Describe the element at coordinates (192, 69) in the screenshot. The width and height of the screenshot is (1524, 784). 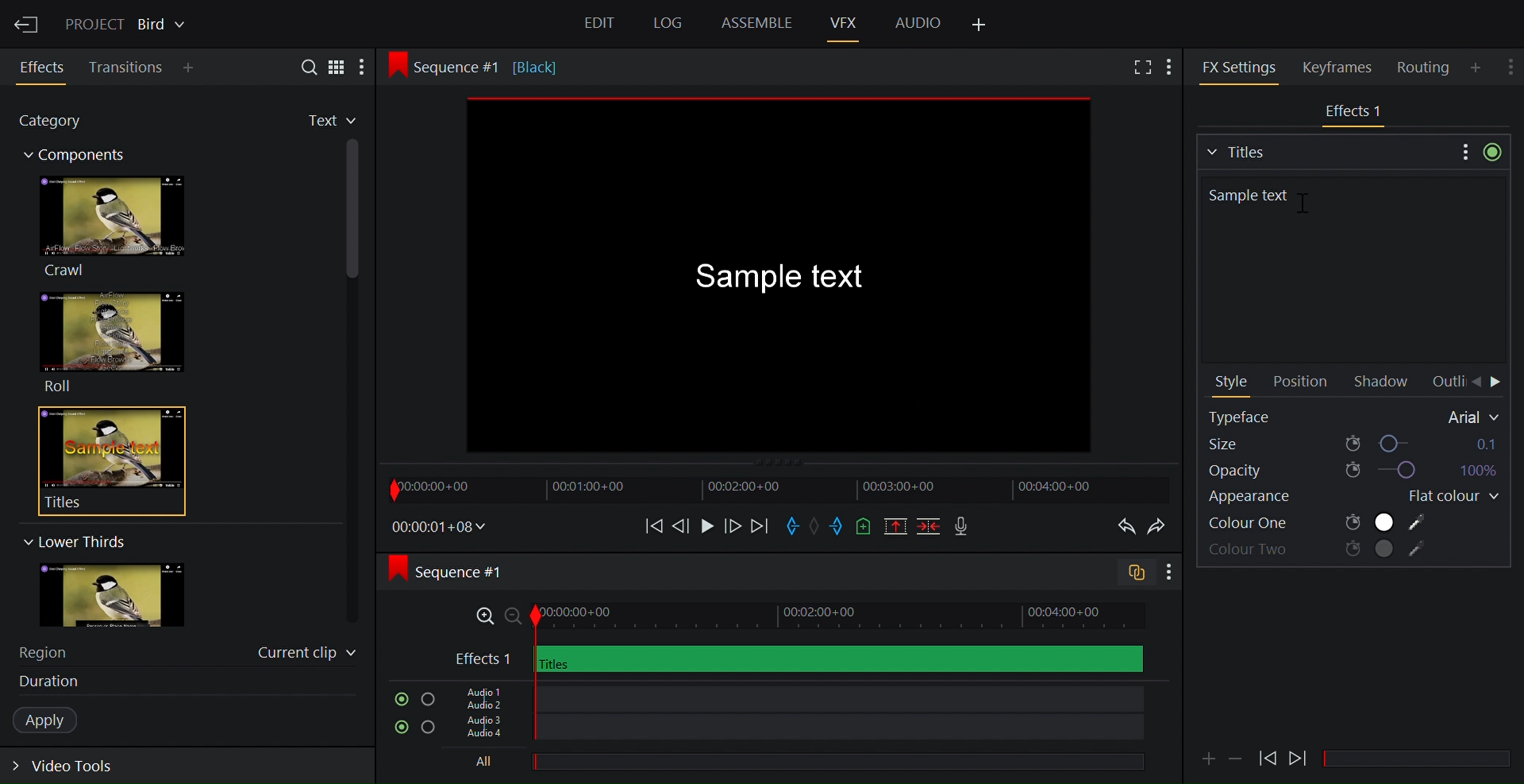
I see `Add Panel` at that location.